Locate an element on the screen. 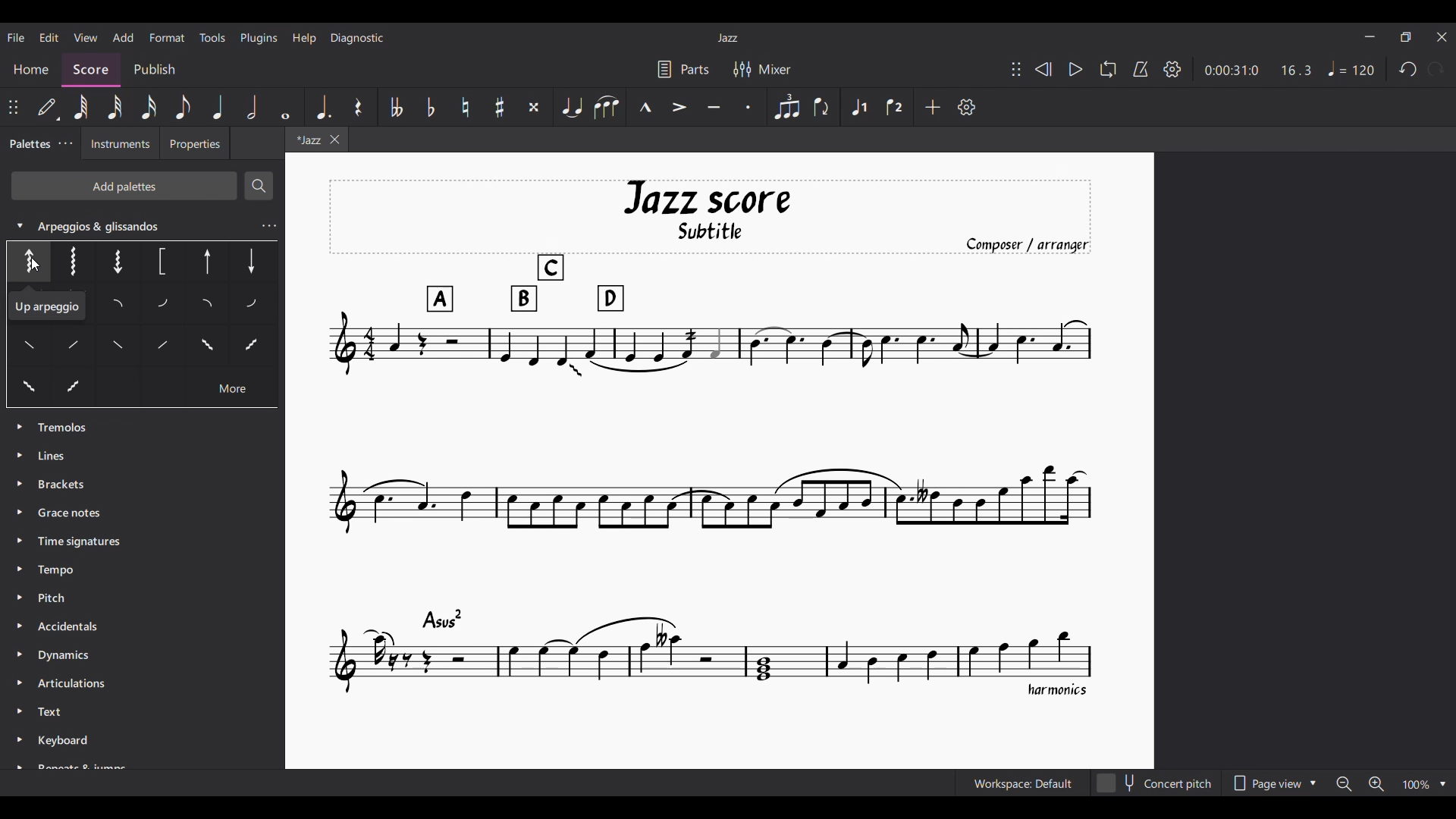 Image resolution: width=1456 pixels, height=819 pixels. Show in smaller tab is located at coordinates (1405, 36).